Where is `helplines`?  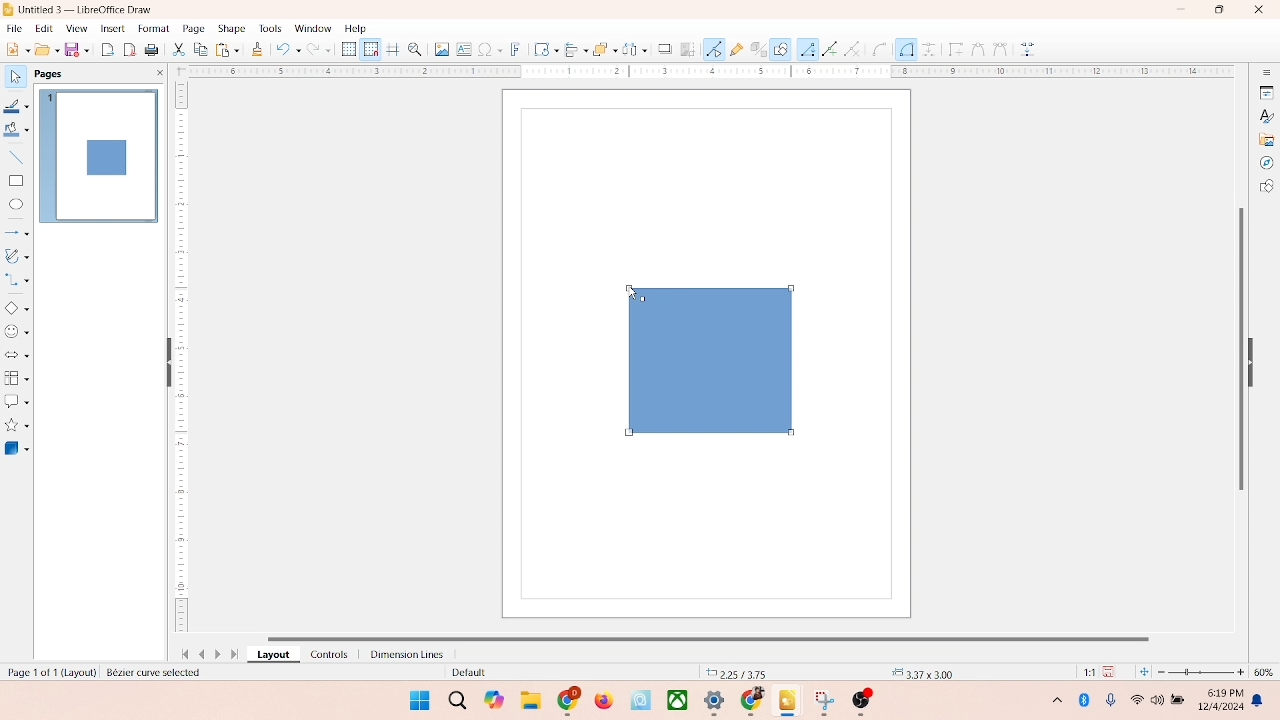
helplines is located at coordinates (392, 50).